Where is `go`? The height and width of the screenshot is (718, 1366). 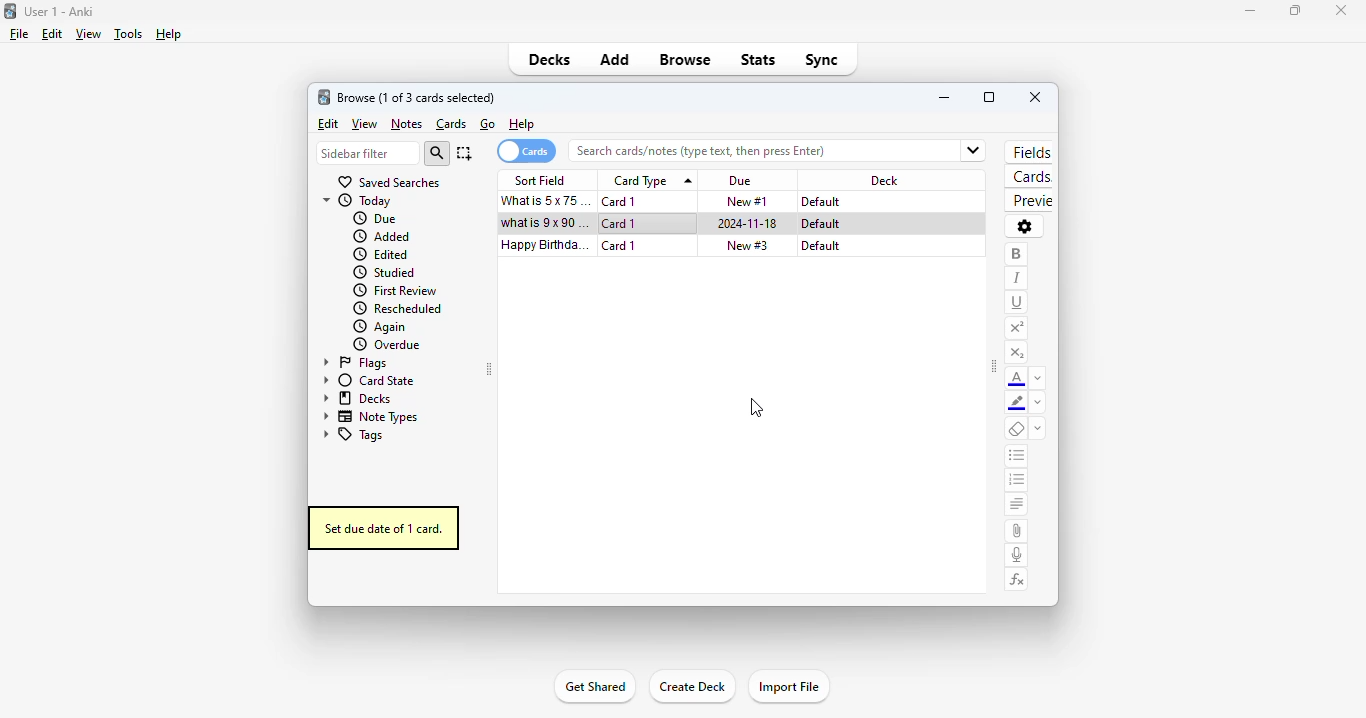
go is located at coordinates (488, 124).